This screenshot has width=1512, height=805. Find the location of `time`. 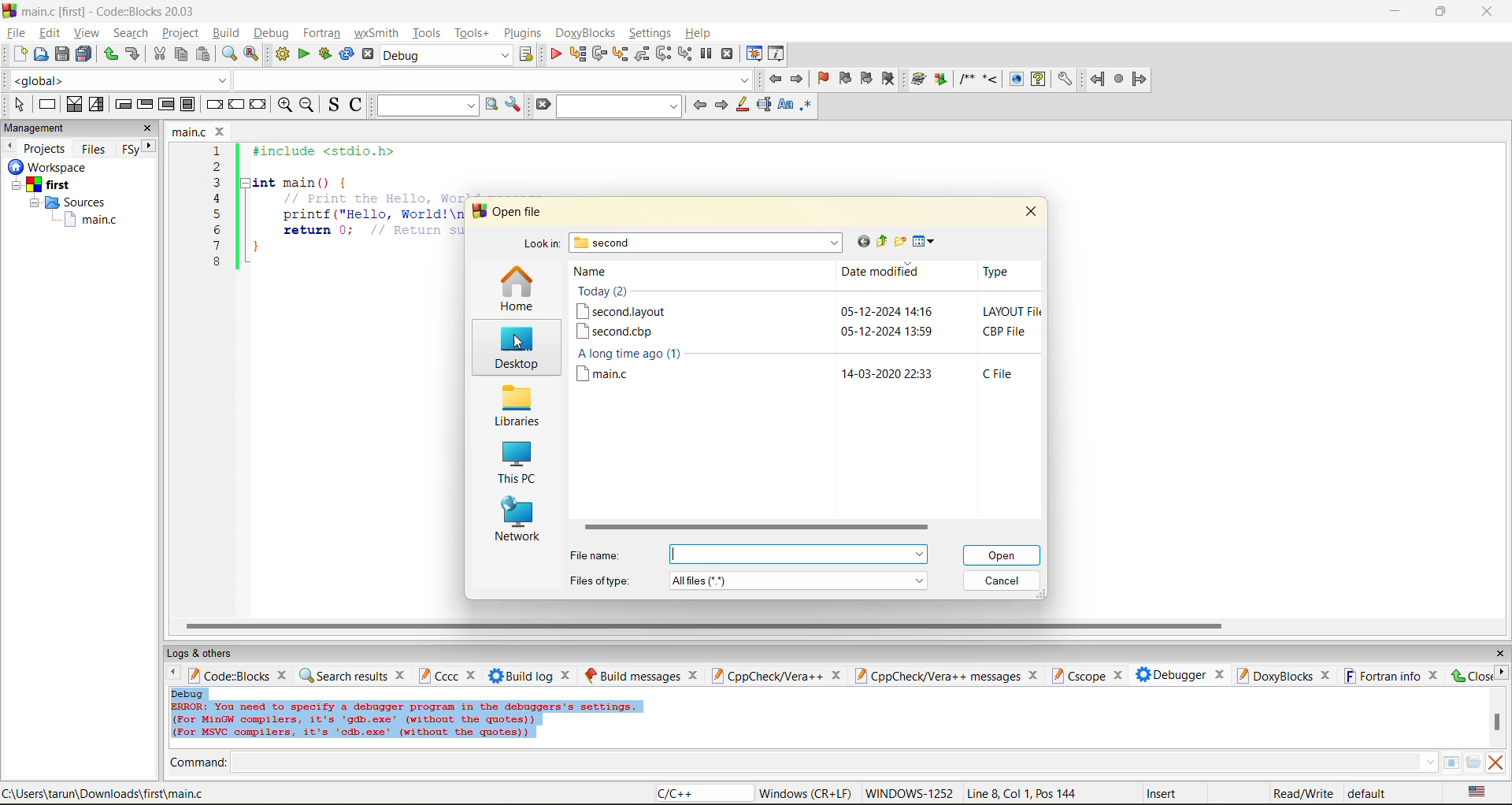

time is located at coordinates (920, 312).